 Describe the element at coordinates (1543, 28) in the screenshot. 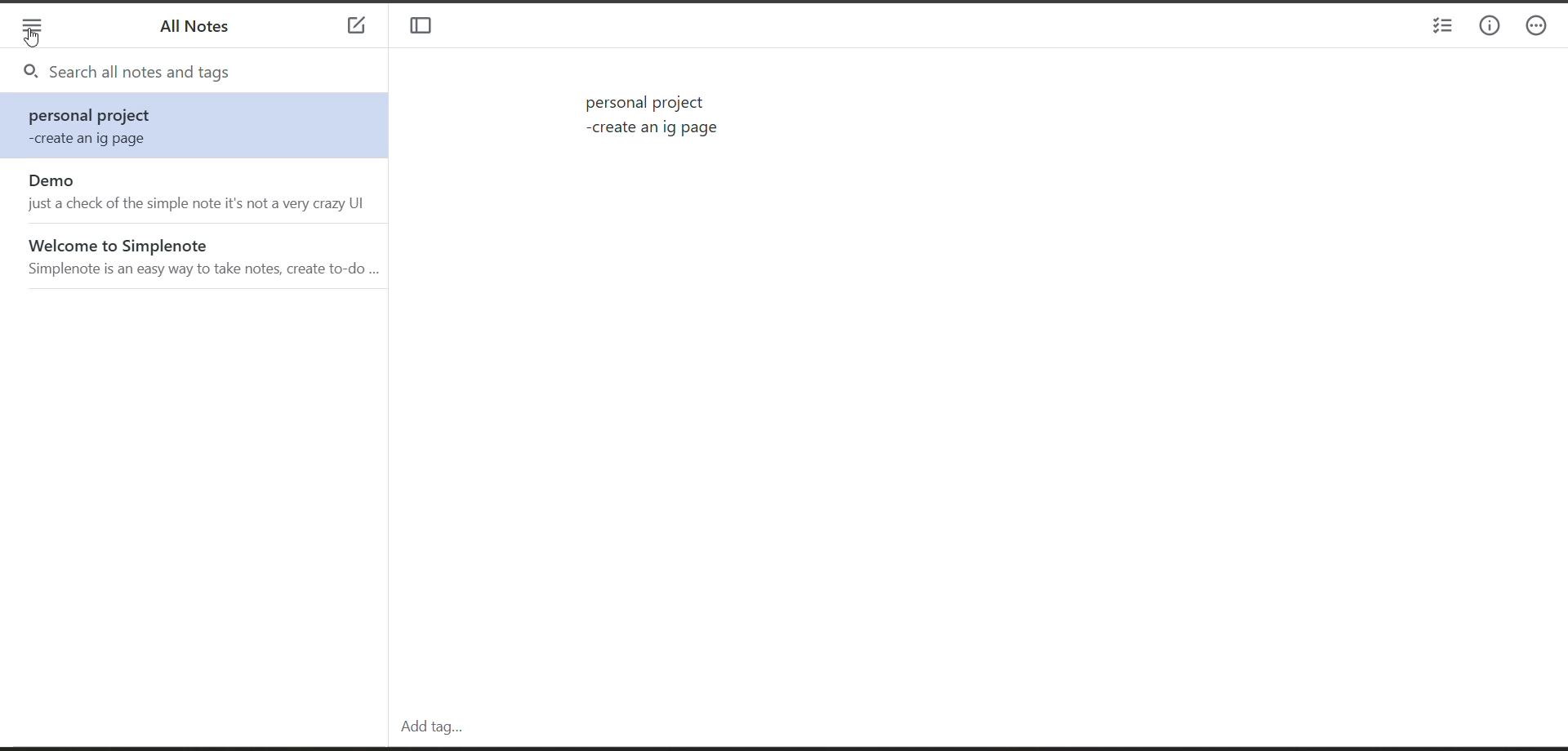

I see `actions` at that location.